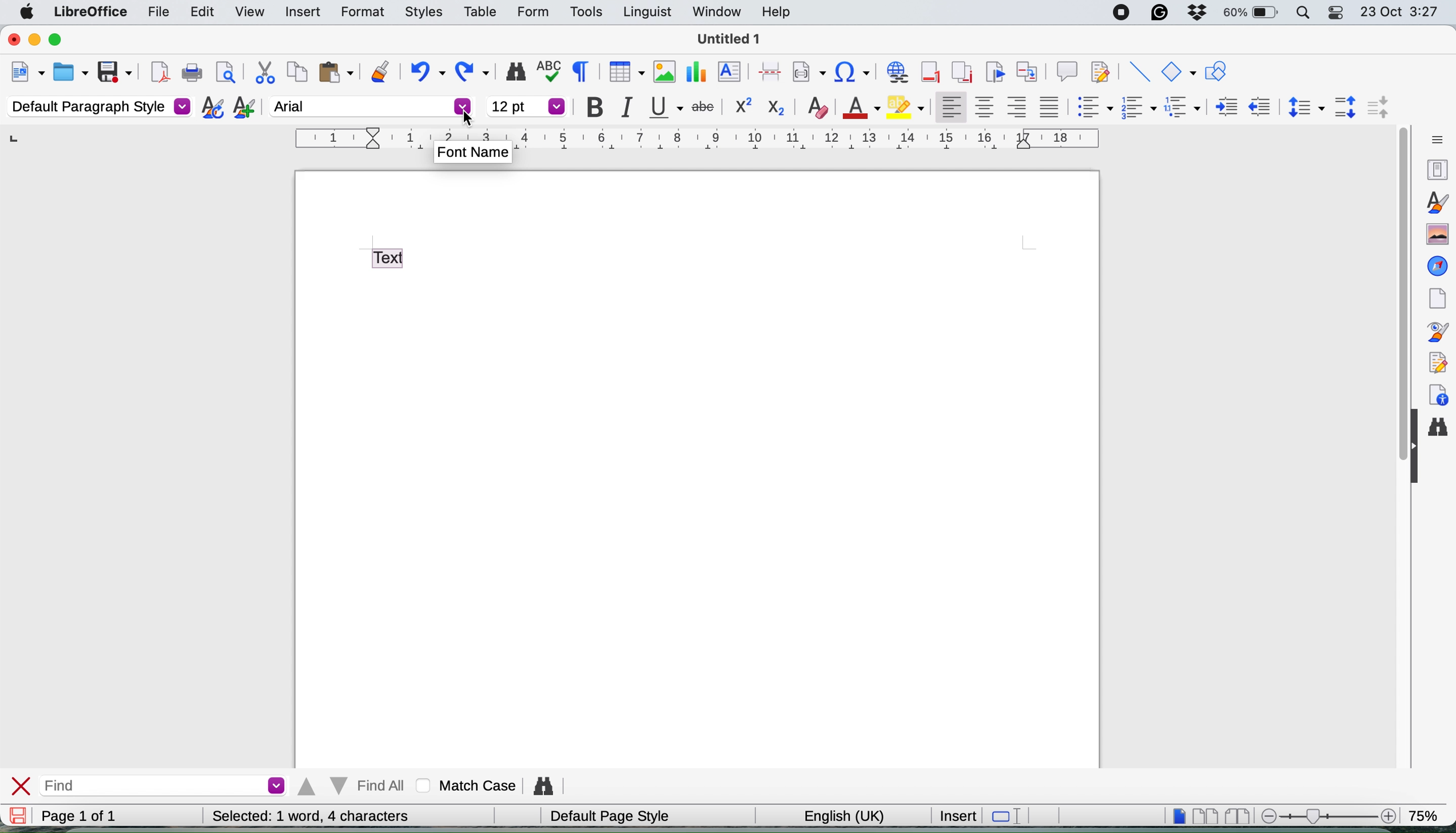  What do you see at coordinates (1004, 815) in the screenshot?
I see `standard selection` at bounding box center [1004, 815].